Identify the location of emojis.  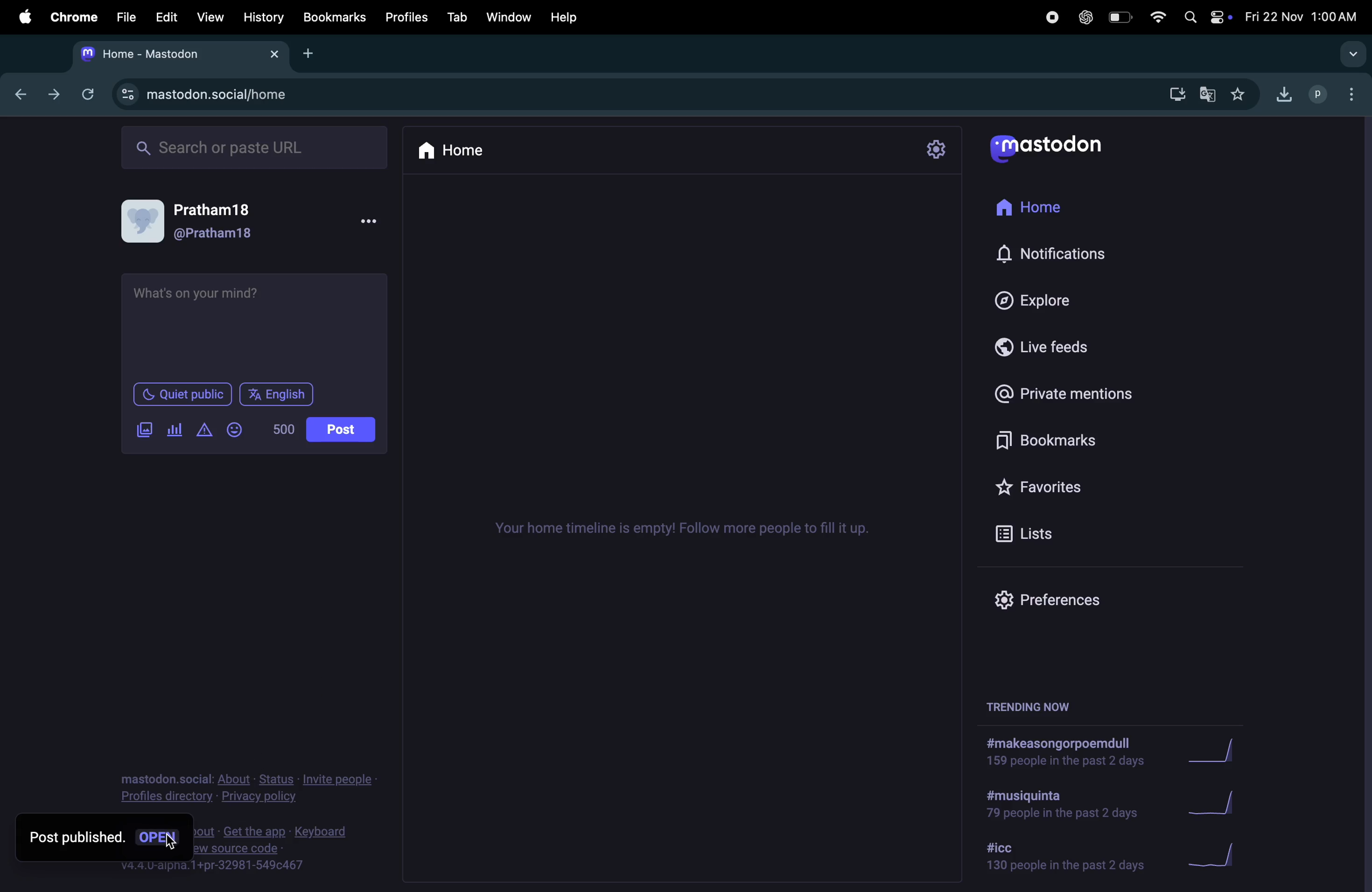
(240, 432).